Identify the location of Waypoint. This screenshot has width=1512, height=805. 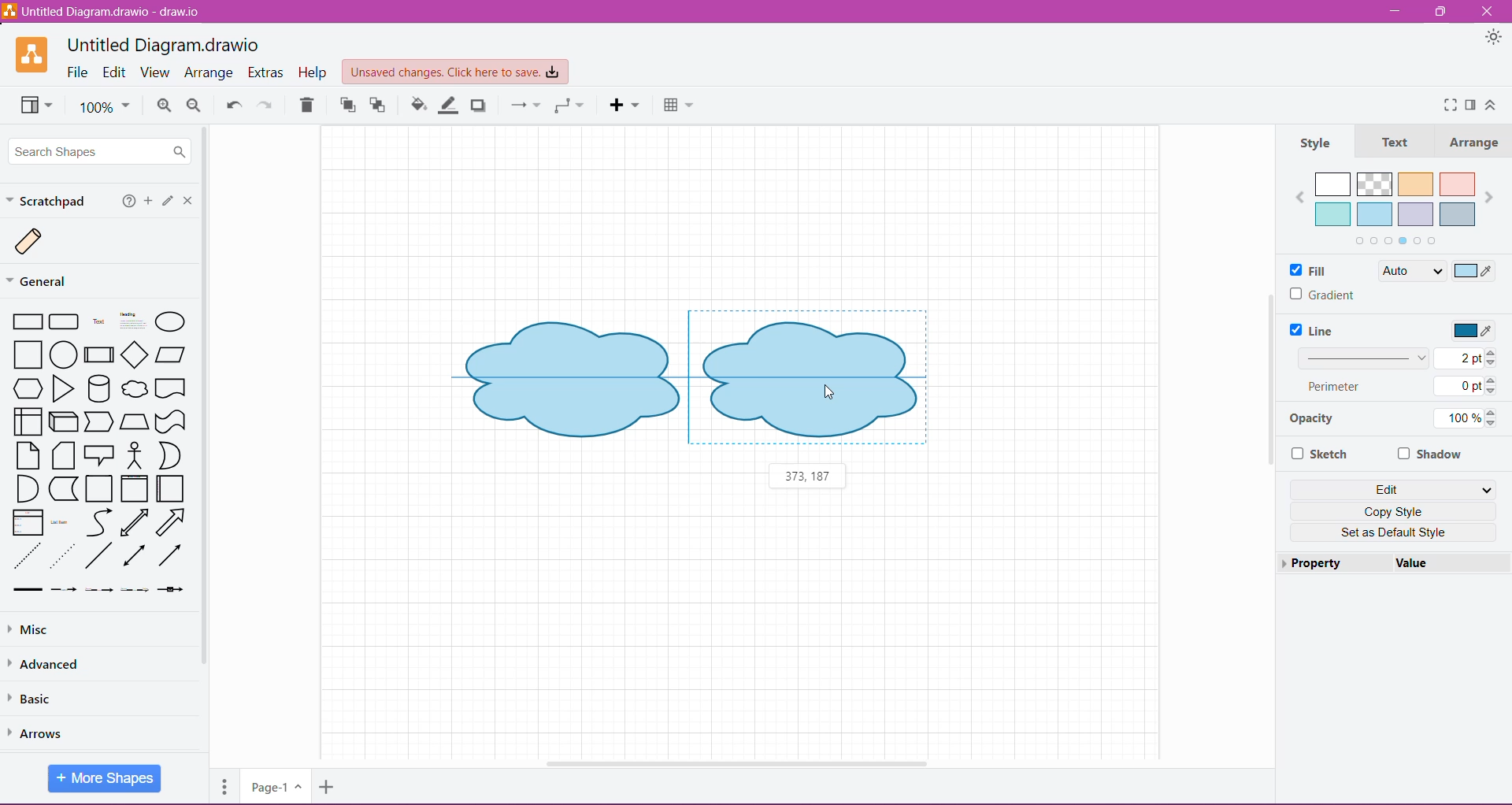
(569, 106).